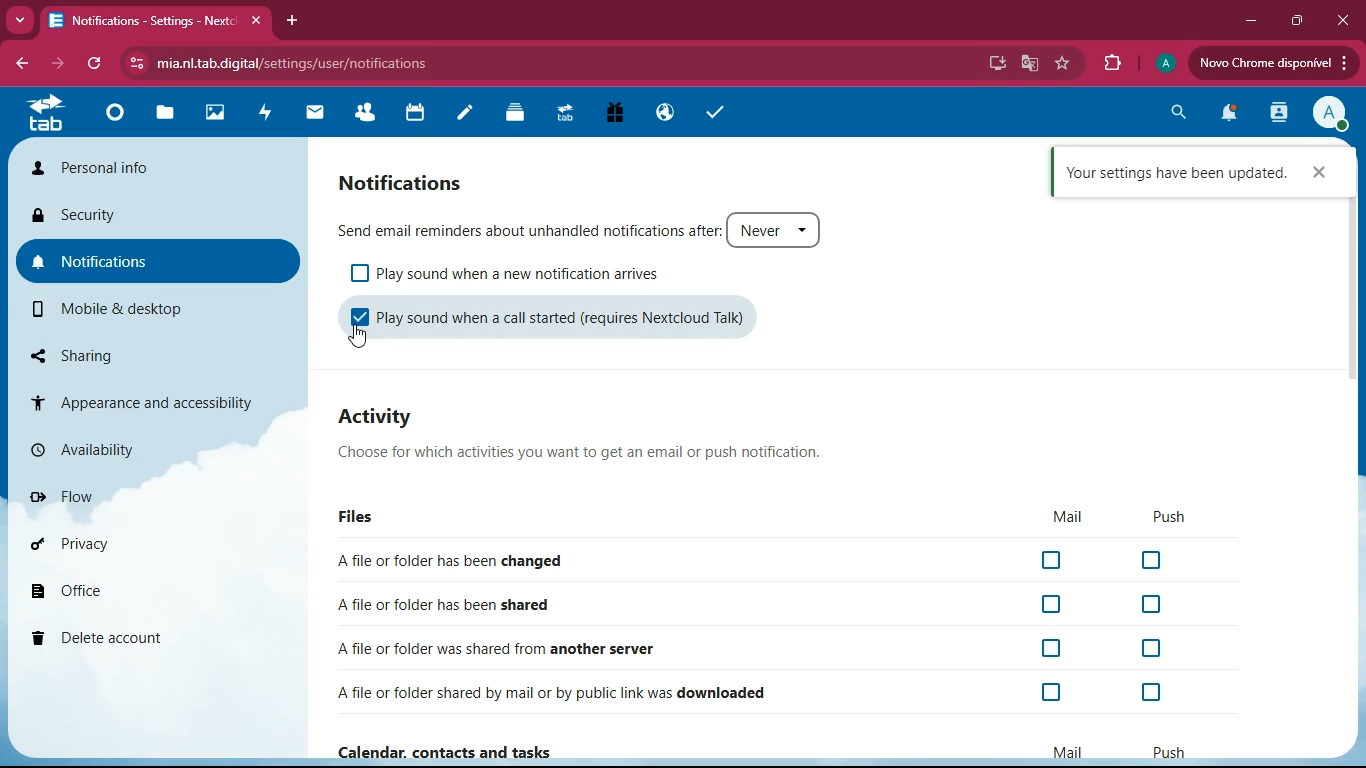  I want to click on security, so click(81, 216).